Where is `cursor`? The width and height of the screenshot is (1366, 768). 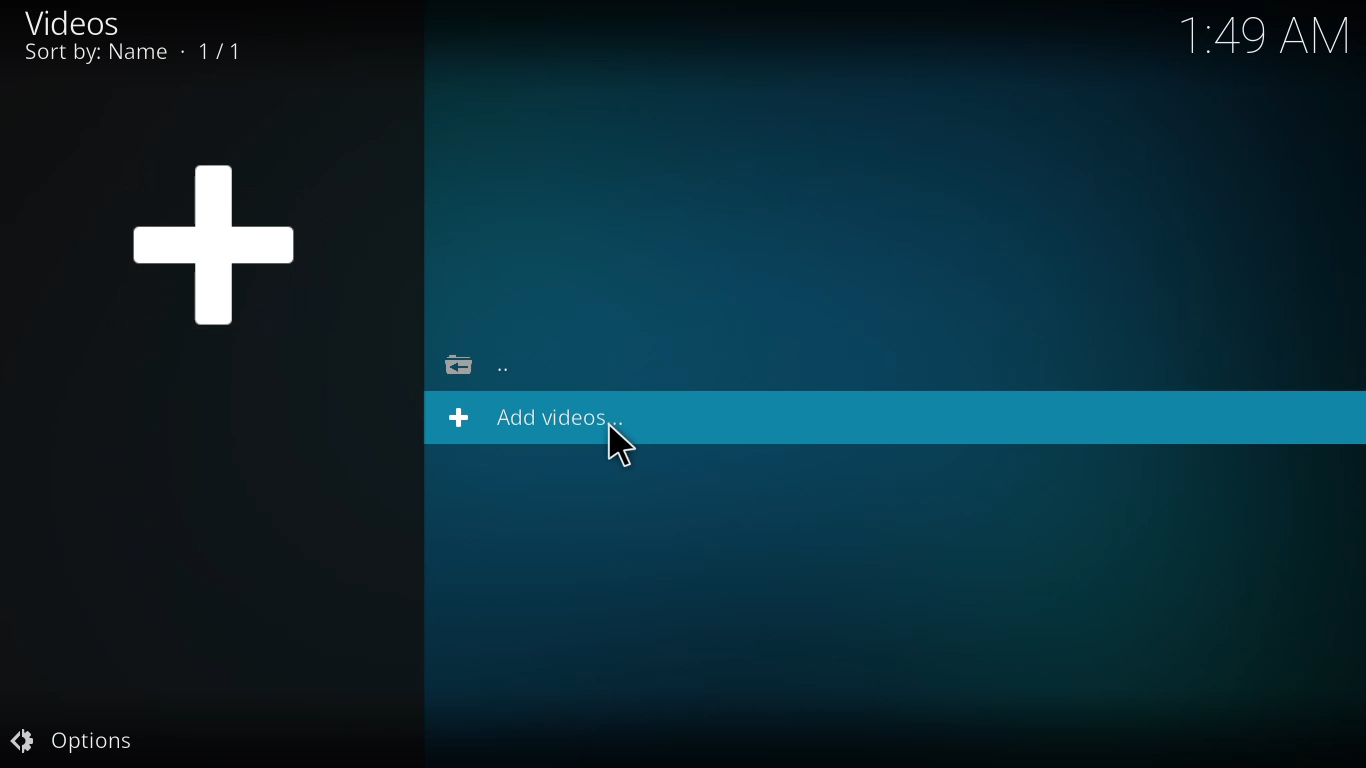 cursor is located at coordinates (620, 448).